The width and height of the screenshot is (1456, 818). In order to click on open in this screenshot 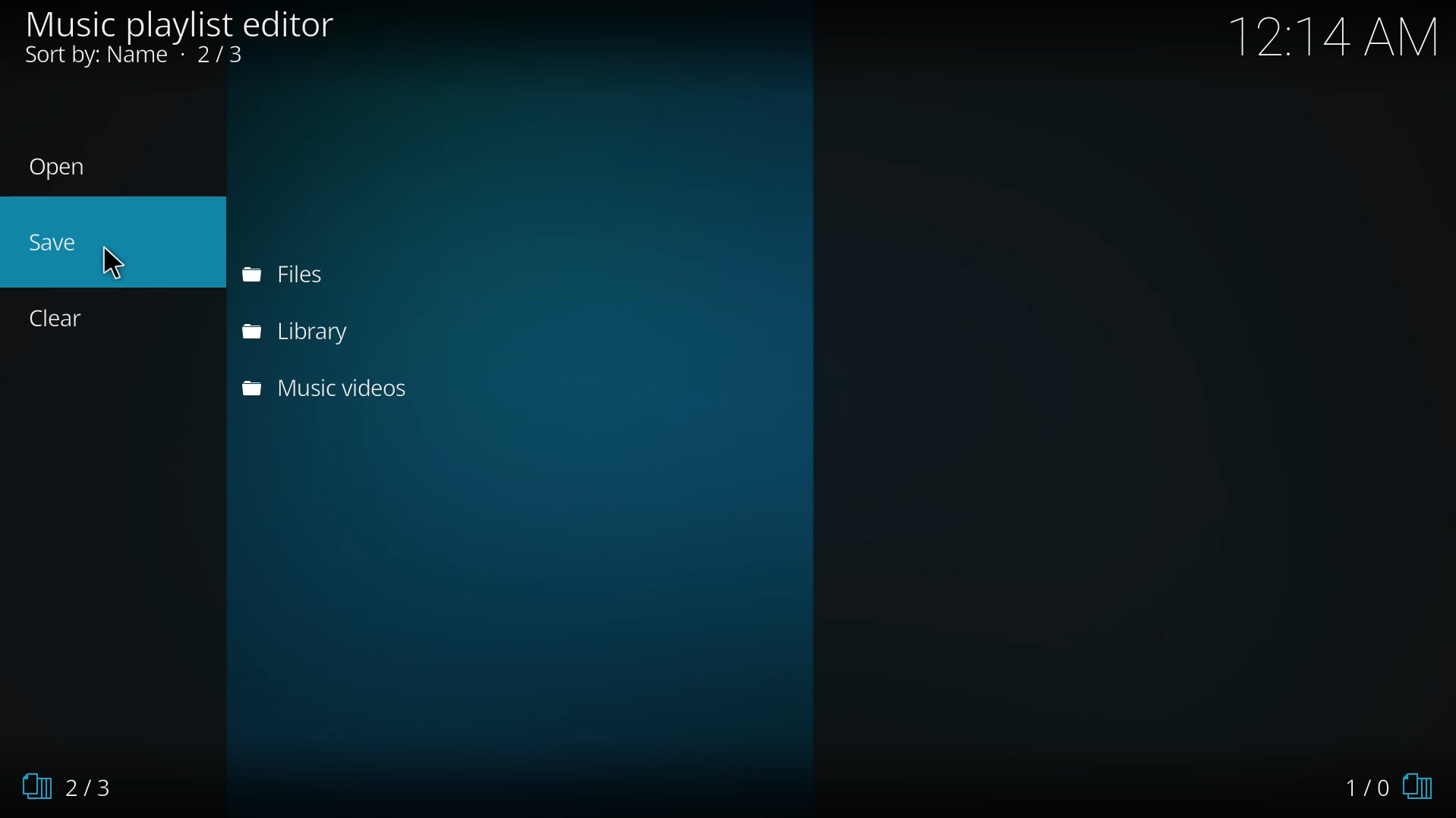, I will do `click(60, 167)`.